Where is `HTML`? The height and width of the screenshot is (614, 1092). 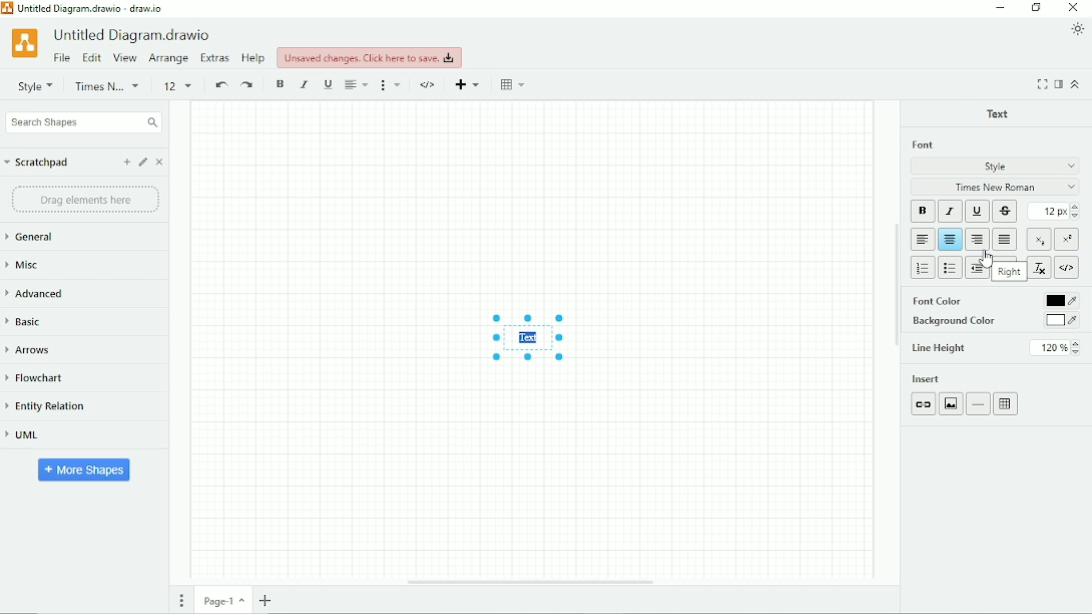
HTML is located at coordinates (1067, 268).